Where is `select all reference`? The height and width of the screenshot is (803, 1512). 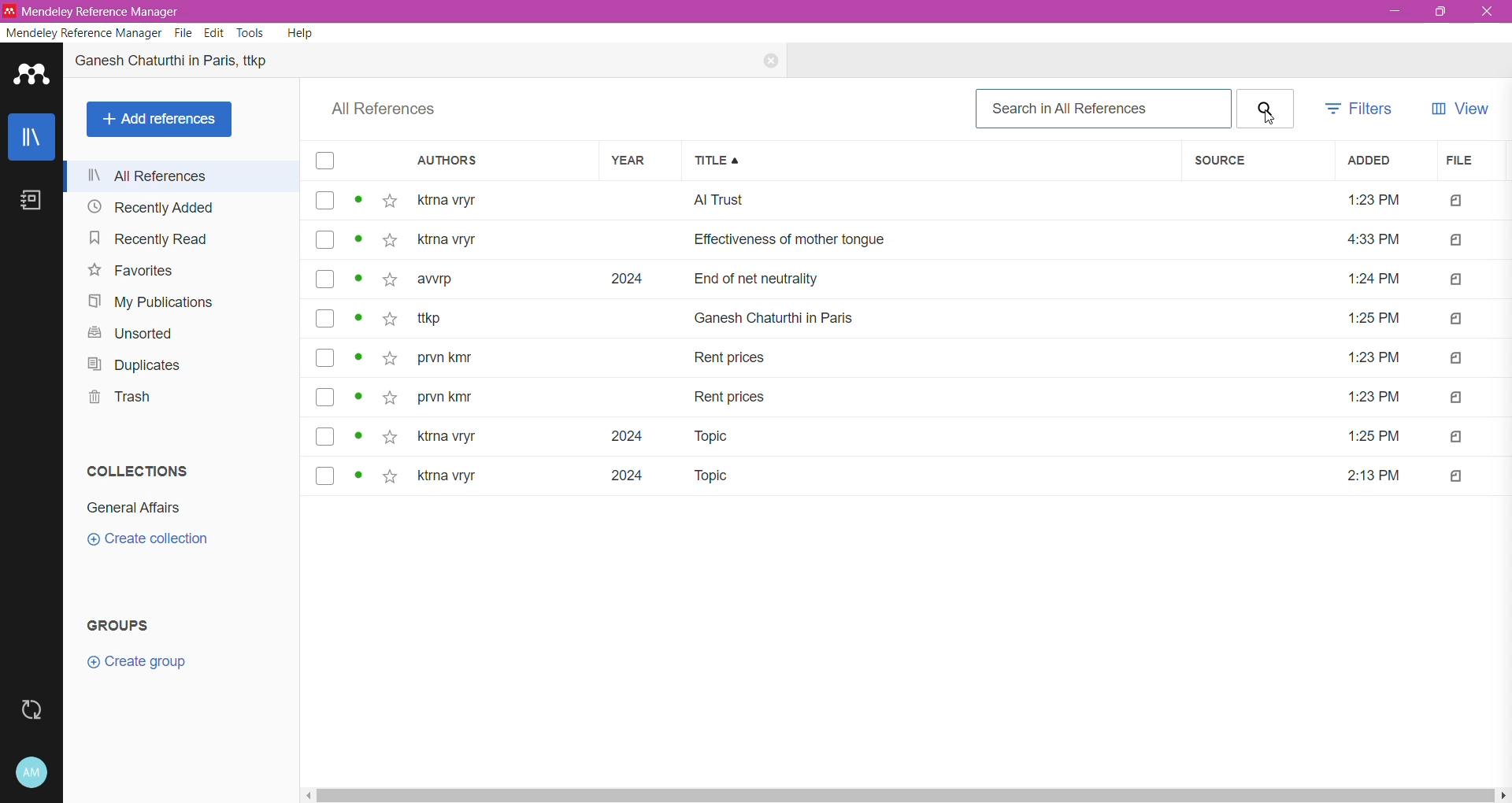 select all reference is located at coordinates (327, 161).